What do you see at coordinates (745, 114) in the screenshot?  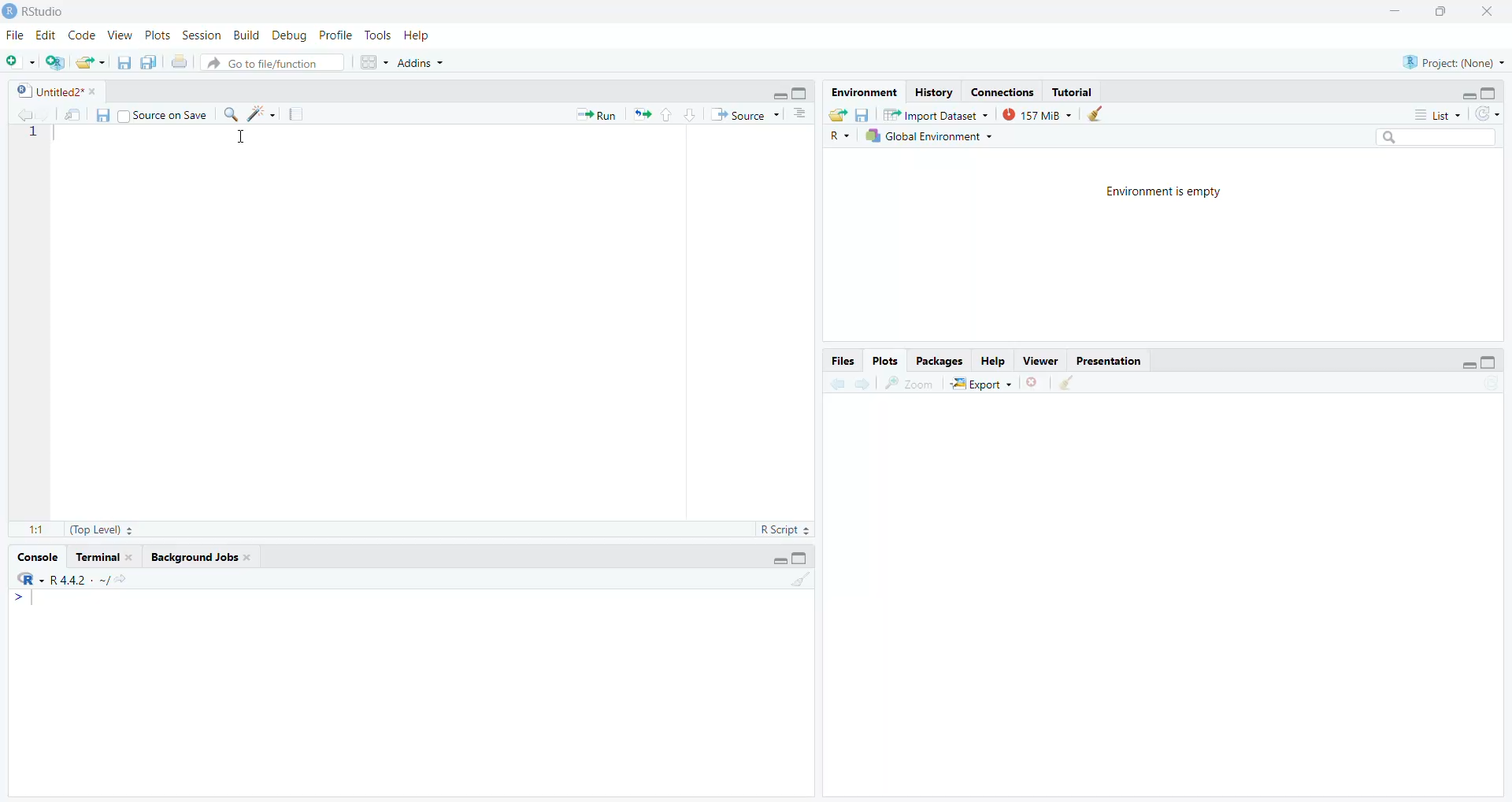 I see `Source` at bounding box center [745, 114].